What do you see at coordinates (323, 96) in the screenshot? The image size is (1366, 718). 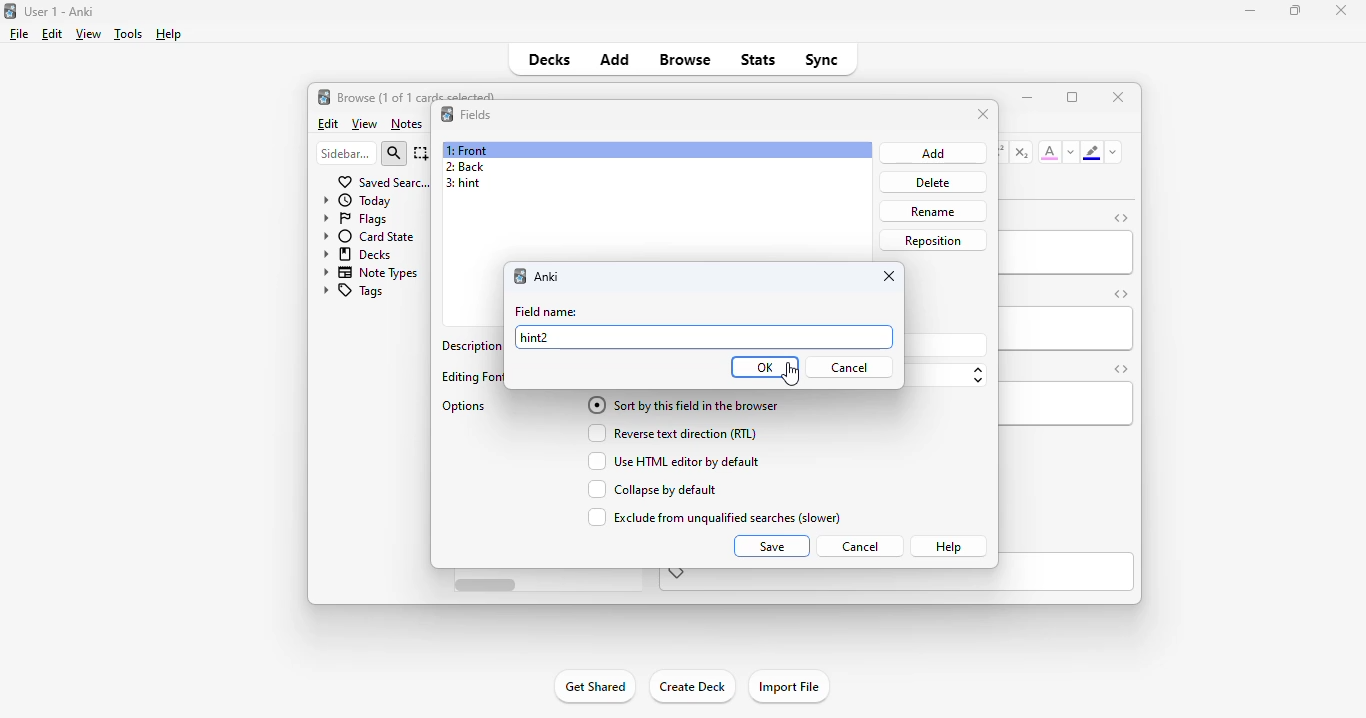 I see `logo` at bounding box center [323, 96].